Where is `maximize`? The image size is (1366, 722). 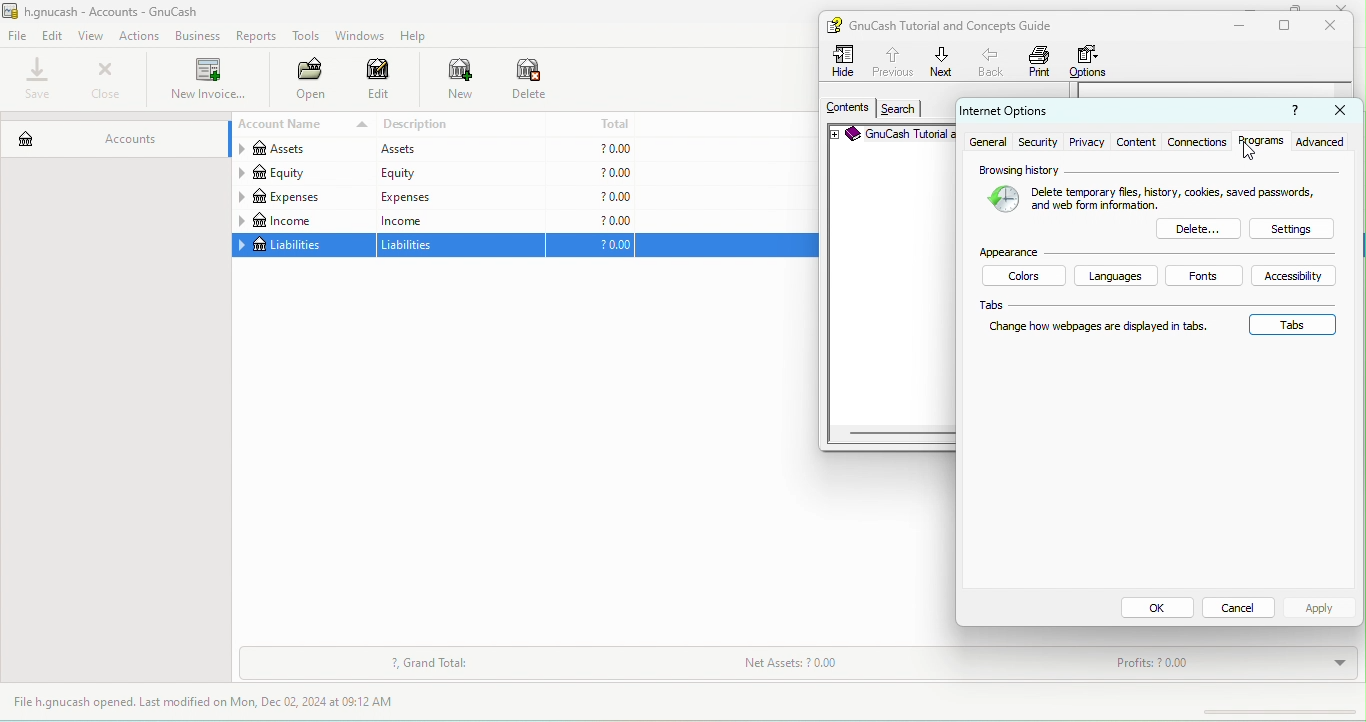
maximize is located at coordinates (1292, 7).